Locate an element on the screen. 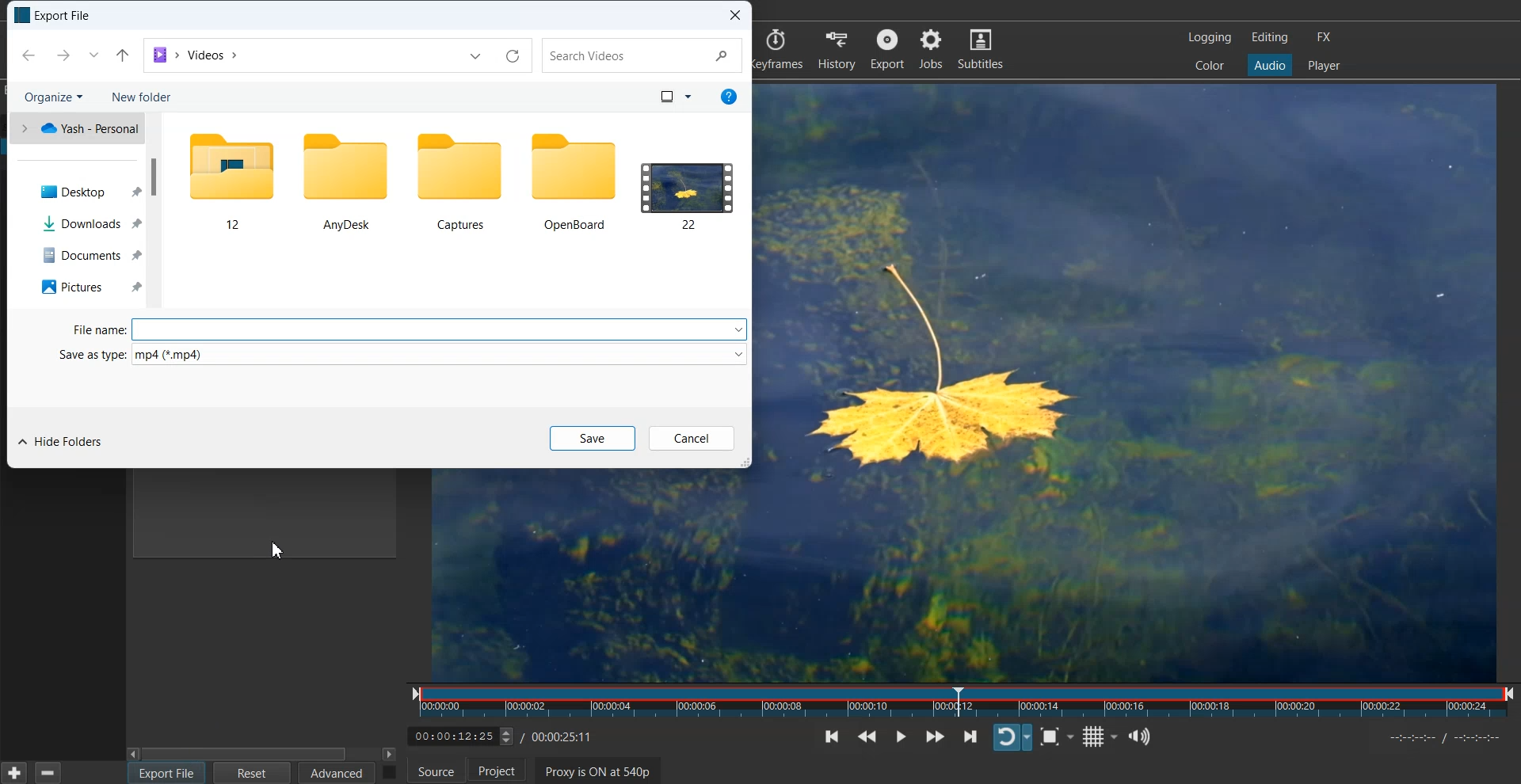 This screenshot has height=784, width=1521. Play quickly forwards is located at coordinates (933, 736).